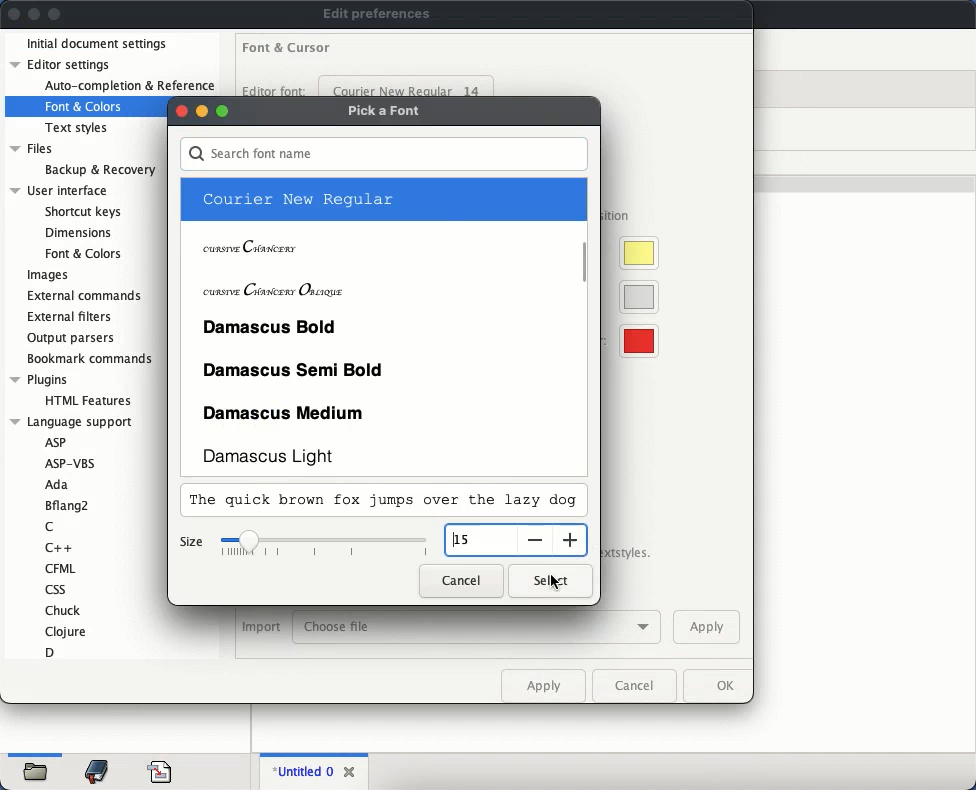 This screenshot has width=976, height=790. What do you see at coordinates (569, 537) in the screenshot?
I see `increase` at bounding box center [569, 537].